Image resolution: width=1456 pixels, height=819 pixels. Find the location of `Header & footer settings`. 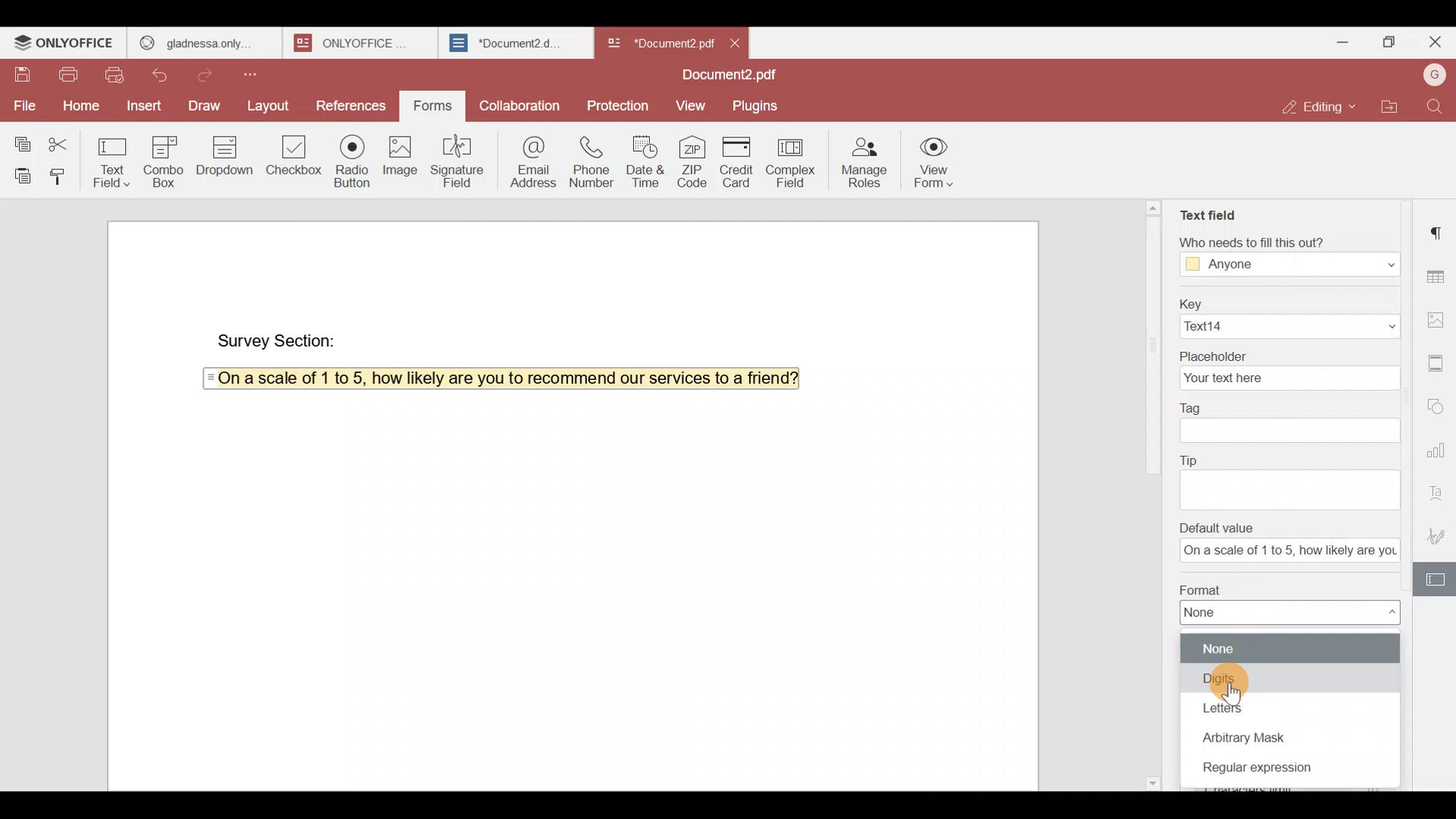

Header & footer settings is located at coordinates (1439, 367).